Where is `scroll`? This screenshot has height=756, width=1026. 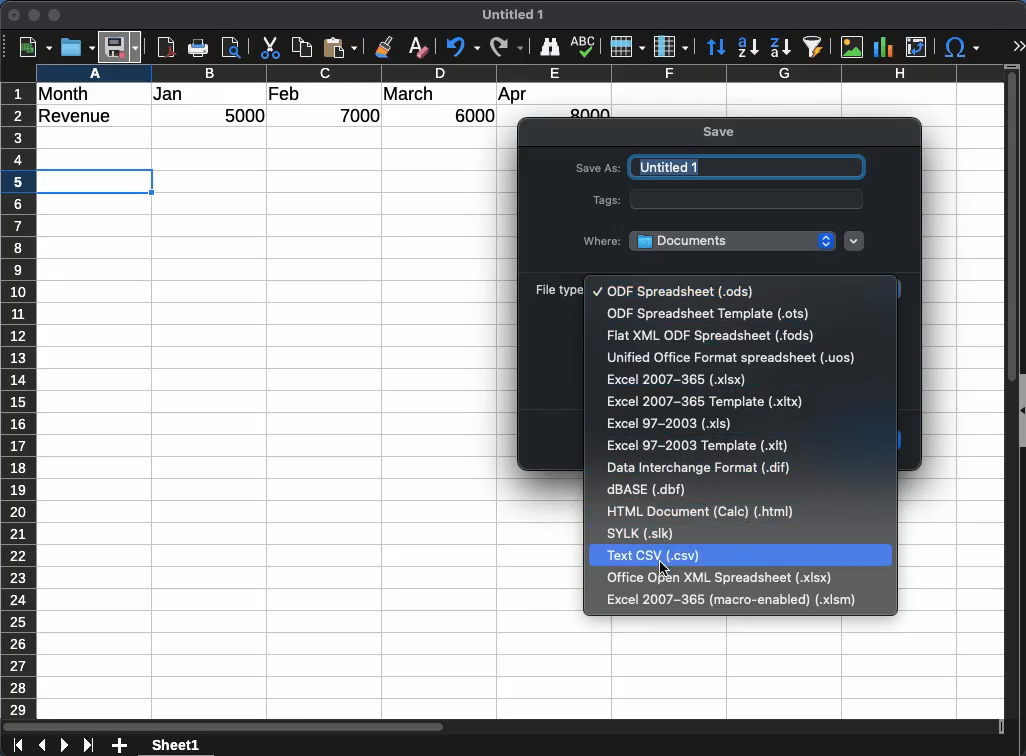
scroll is located at coordinates (1004, 402).